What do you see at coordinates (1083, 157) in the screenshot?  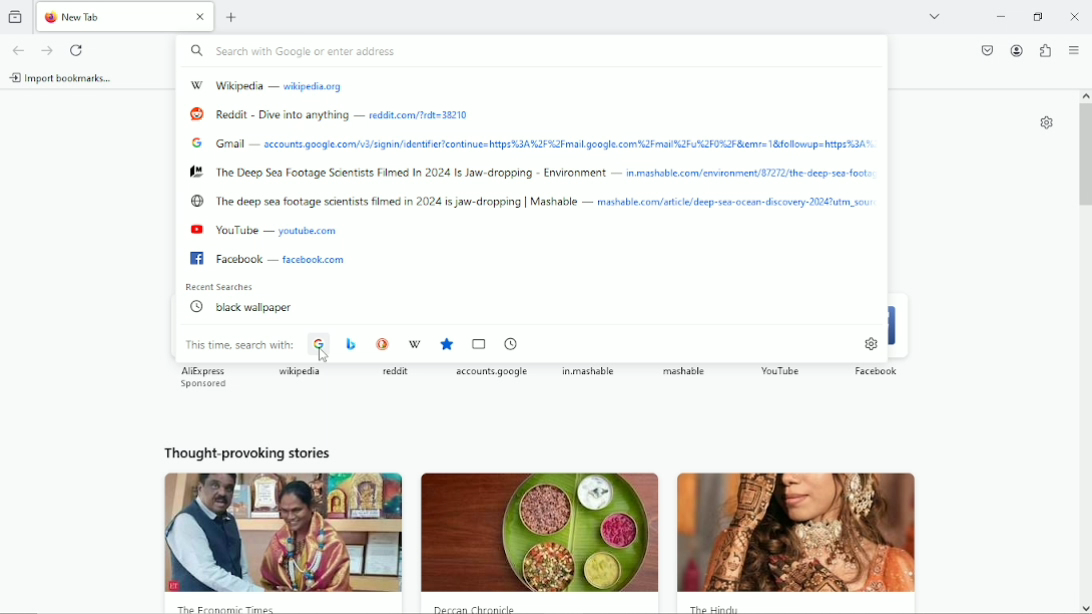 I see `vertical scrollbar` at bounding box center [1083, 157].